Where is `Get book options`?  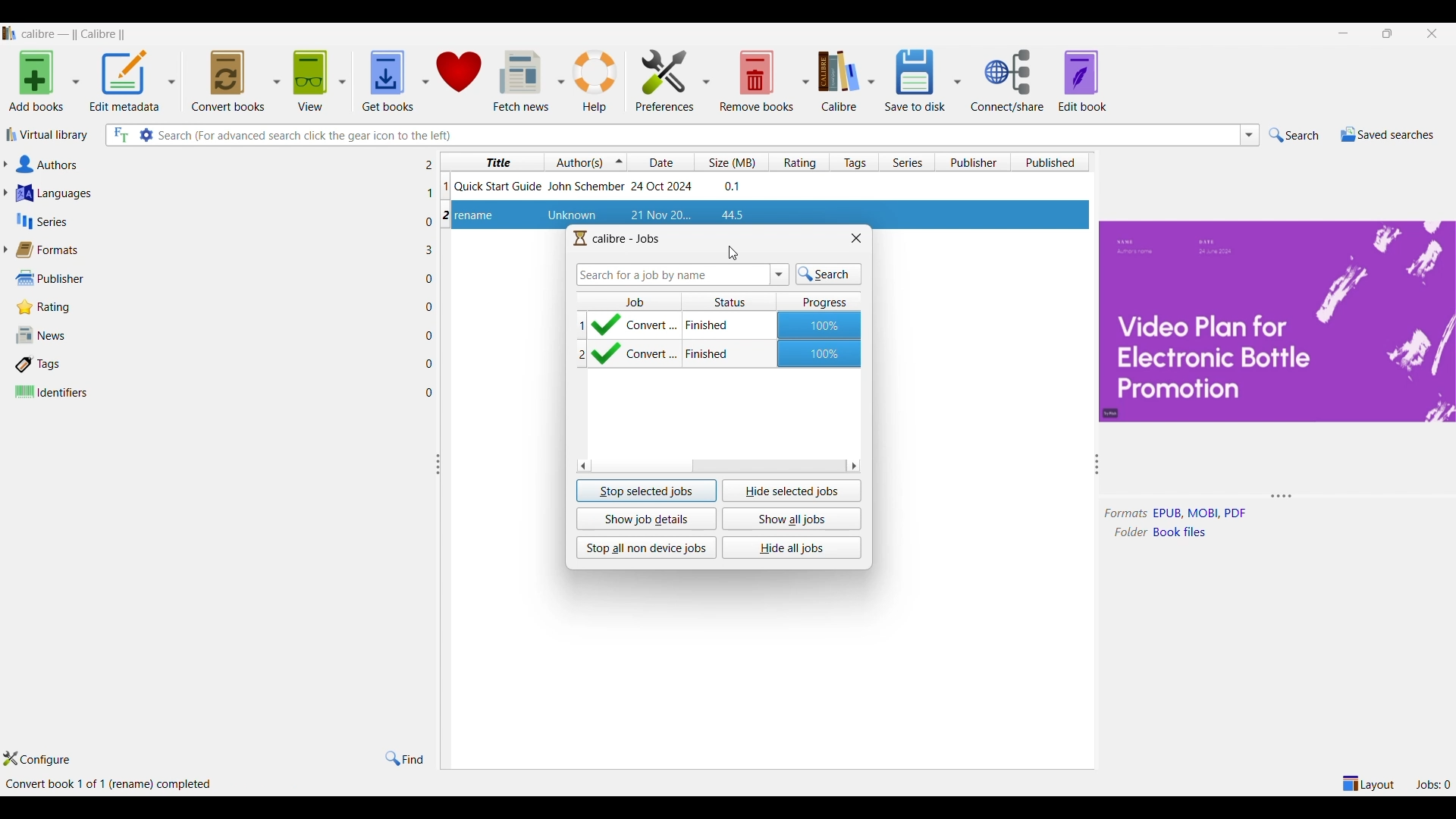 Get book options is located at coordinates (425, 80).